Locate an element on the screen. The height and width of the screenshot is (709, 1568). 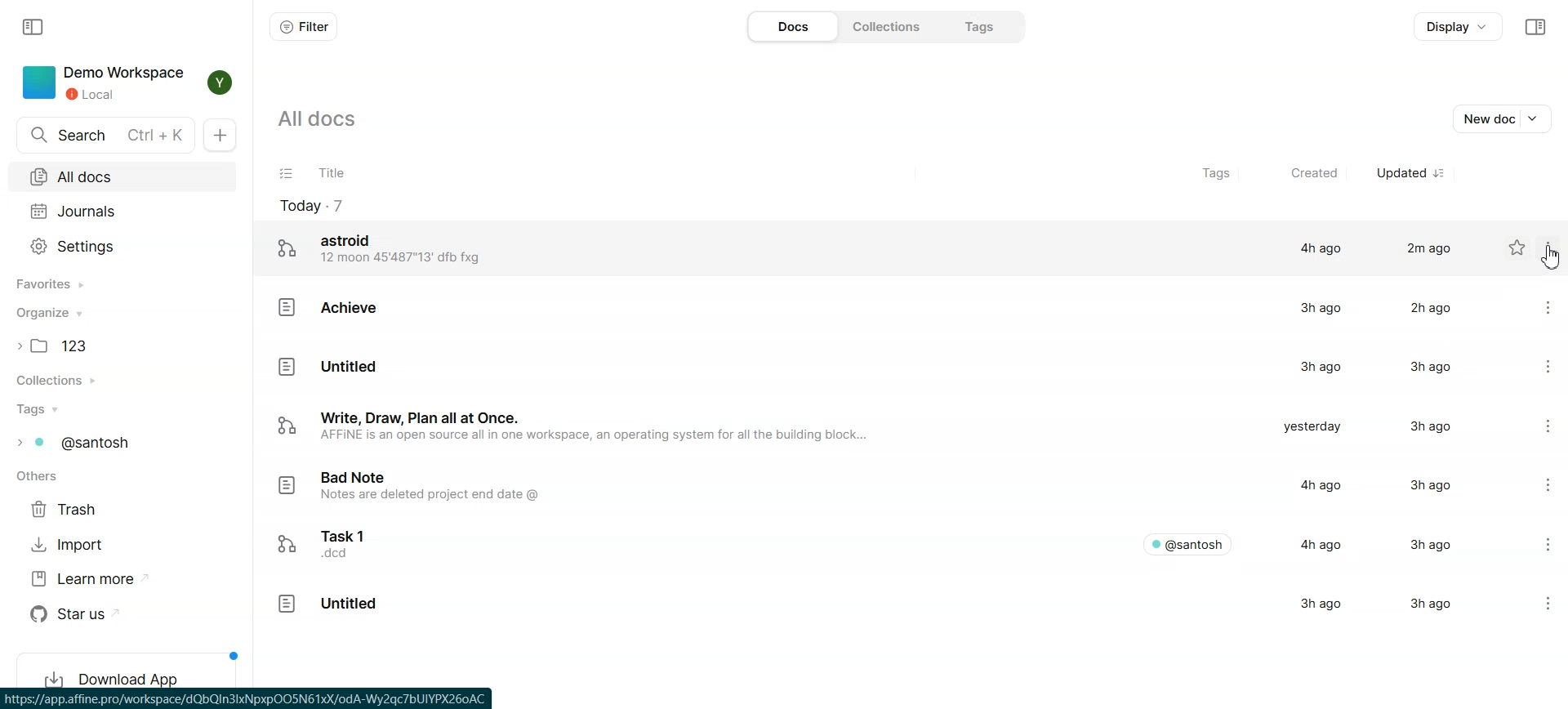
Tags is located at coordinates (122, 410).